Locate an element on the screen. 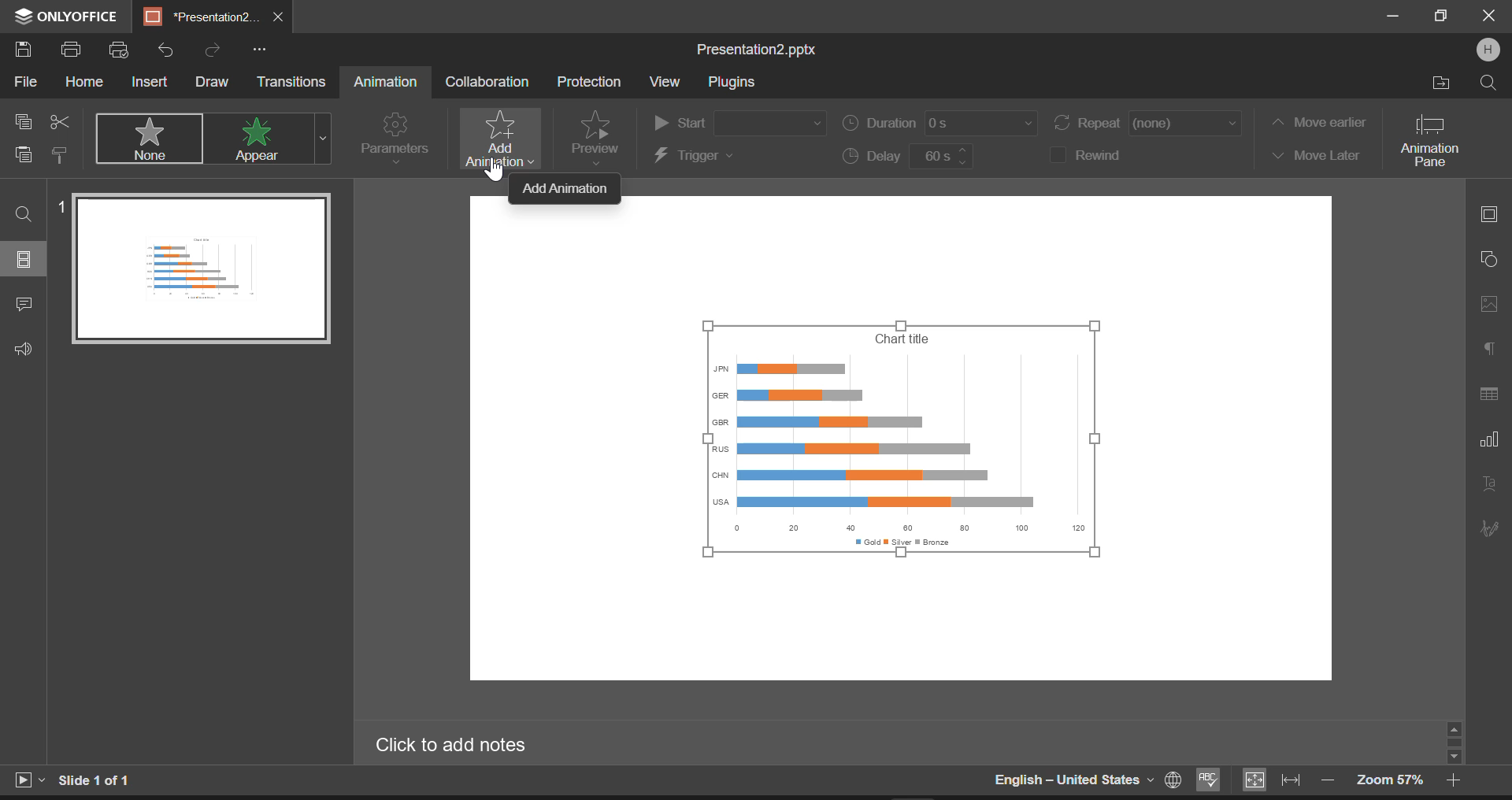  Parameters is located at coordinates (394, 137).